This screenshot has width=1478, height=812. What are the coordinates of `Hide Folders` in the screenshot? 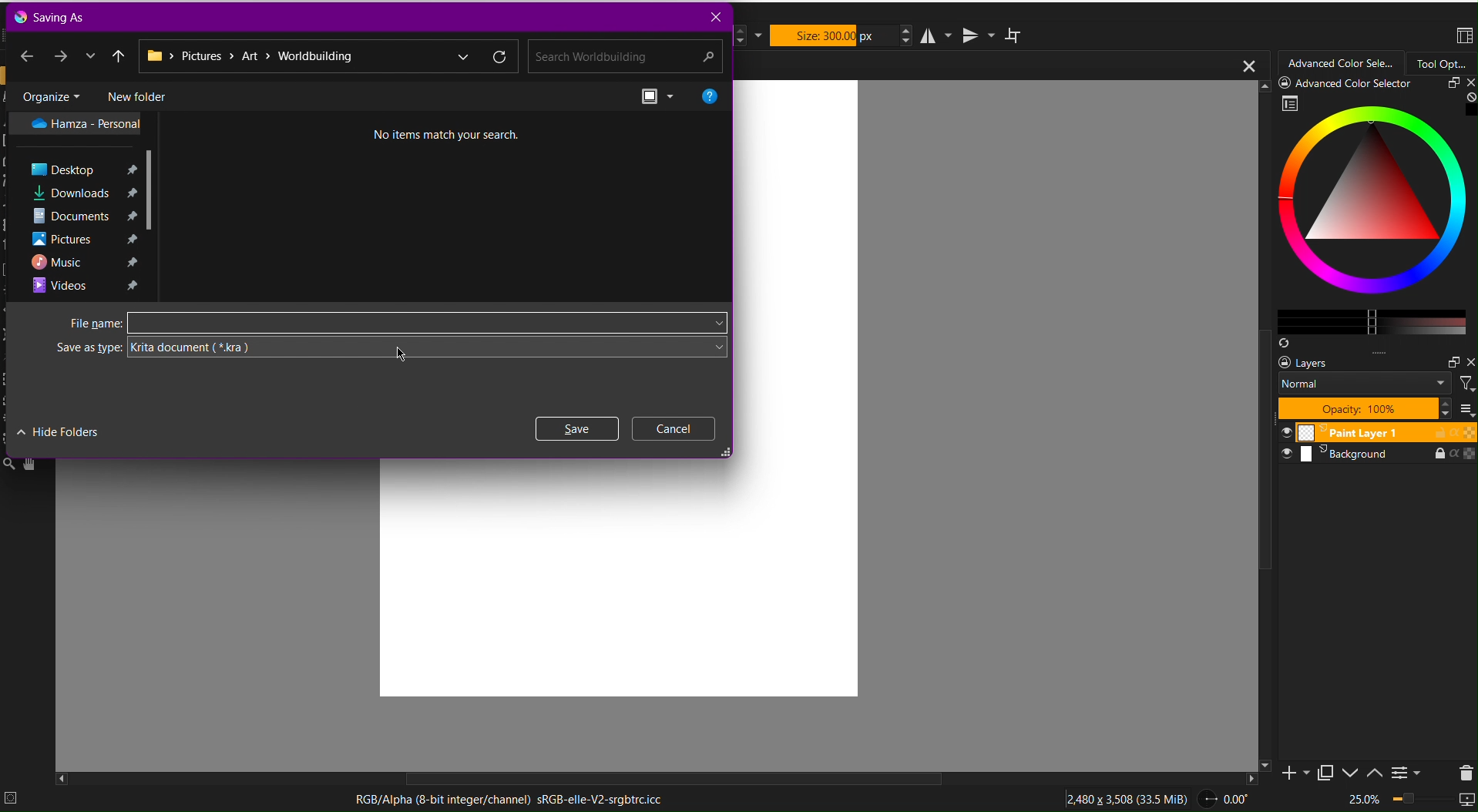 It's located at (59, 431).